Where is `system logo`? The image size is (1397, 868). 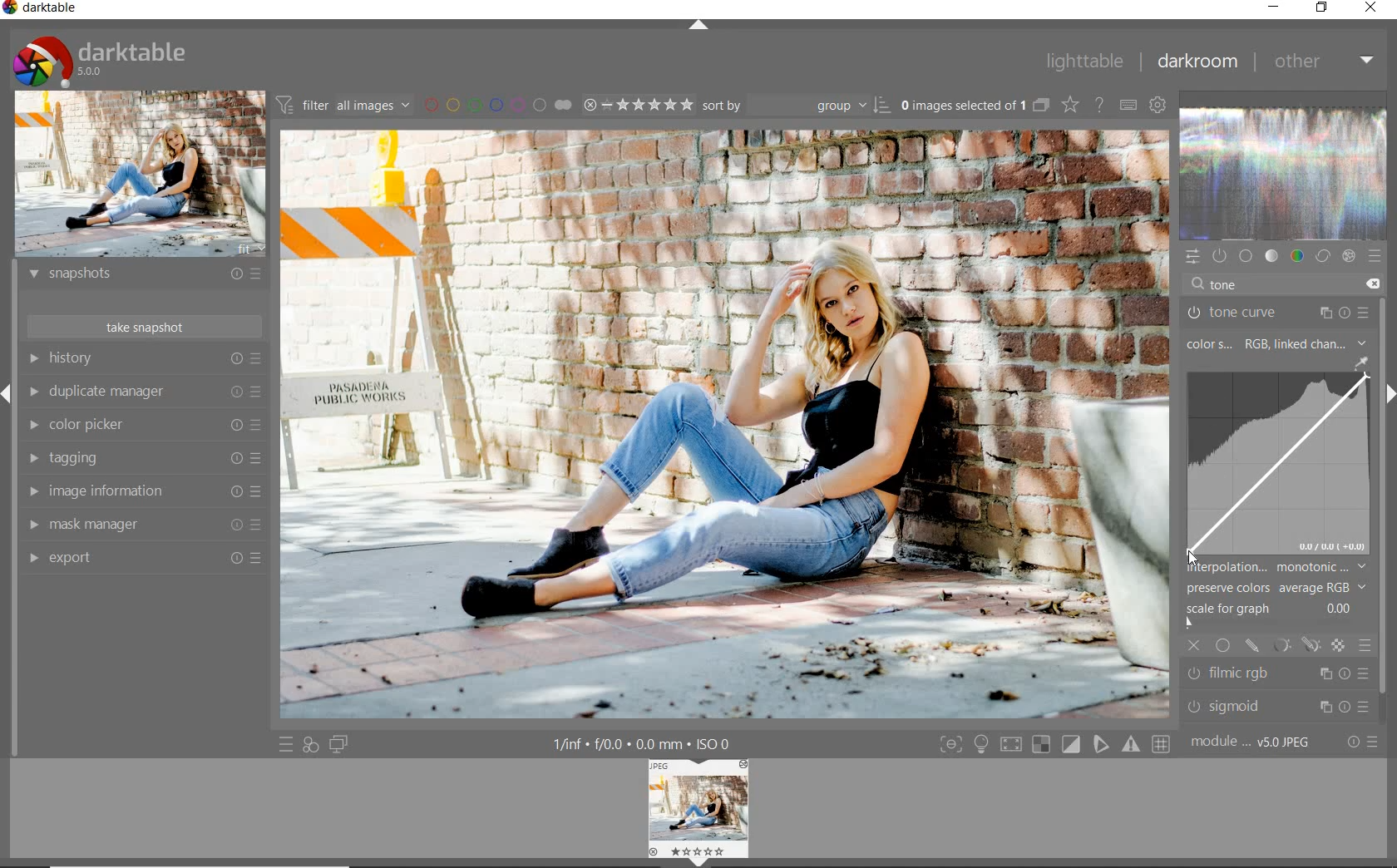 system logo is located at coordinates (101, 60).